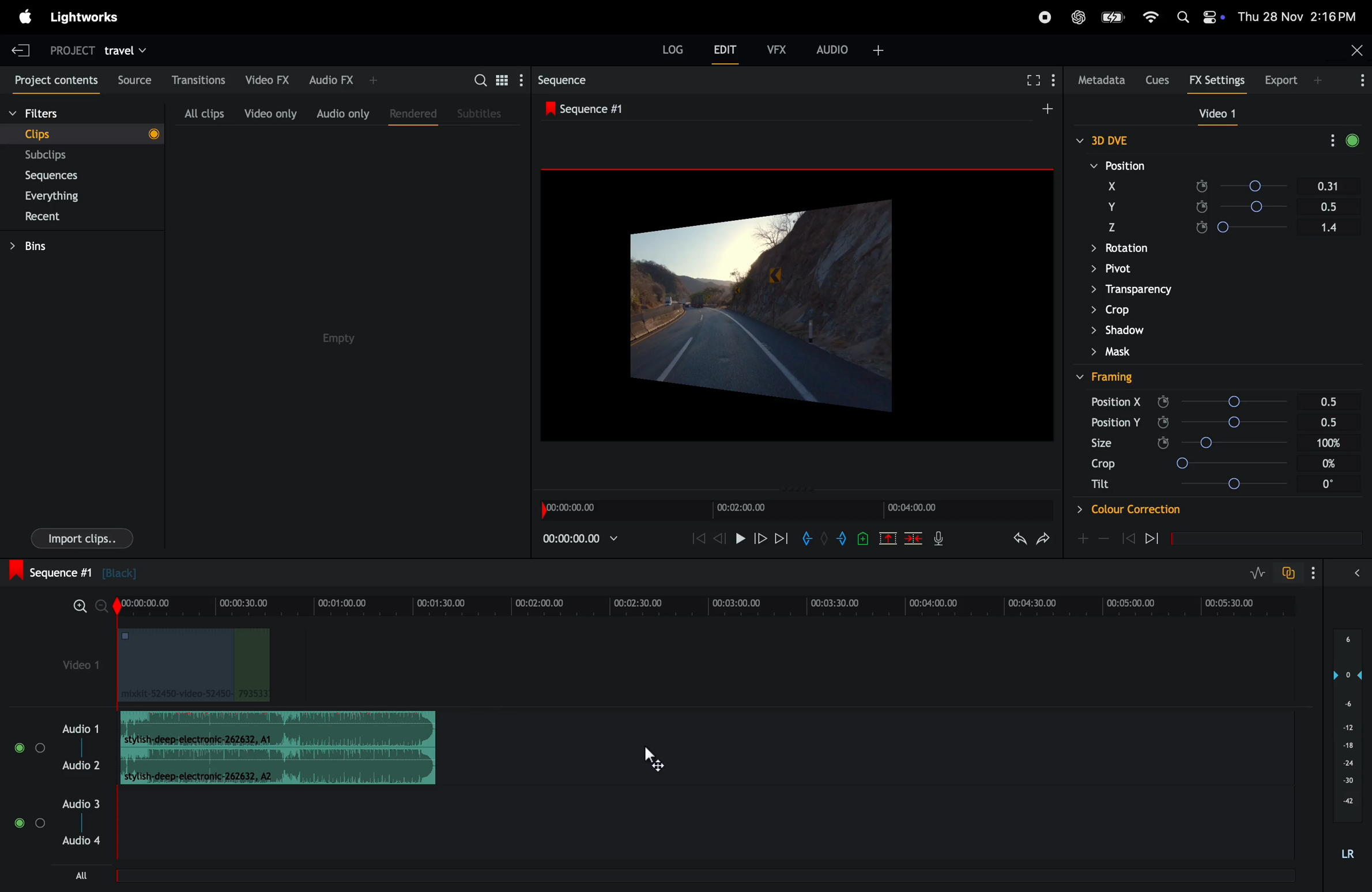 Image resolution: width=1372 pixels, height=892 pixels. I want to click on angle, so click(1257, 227).